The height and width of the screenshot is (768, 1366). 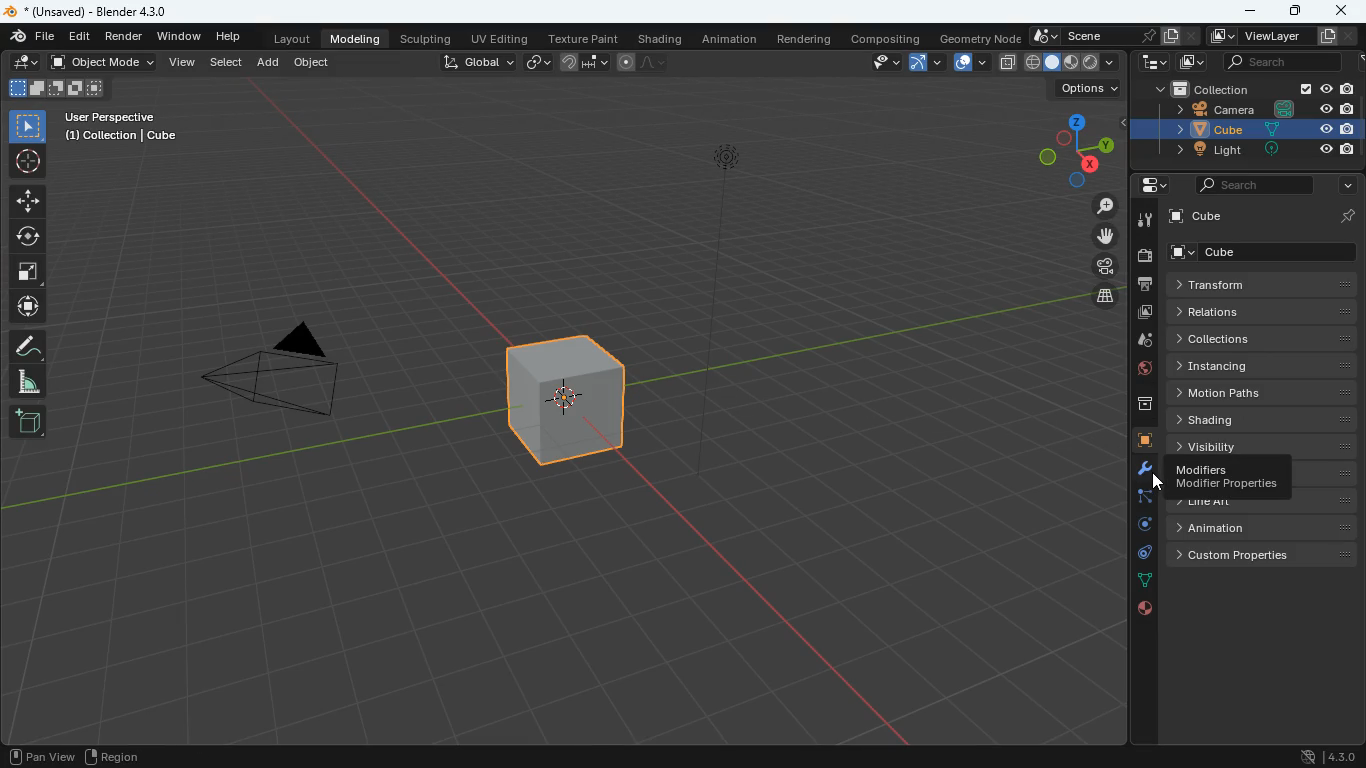 I want to click on select, so click(x=227, y=63).